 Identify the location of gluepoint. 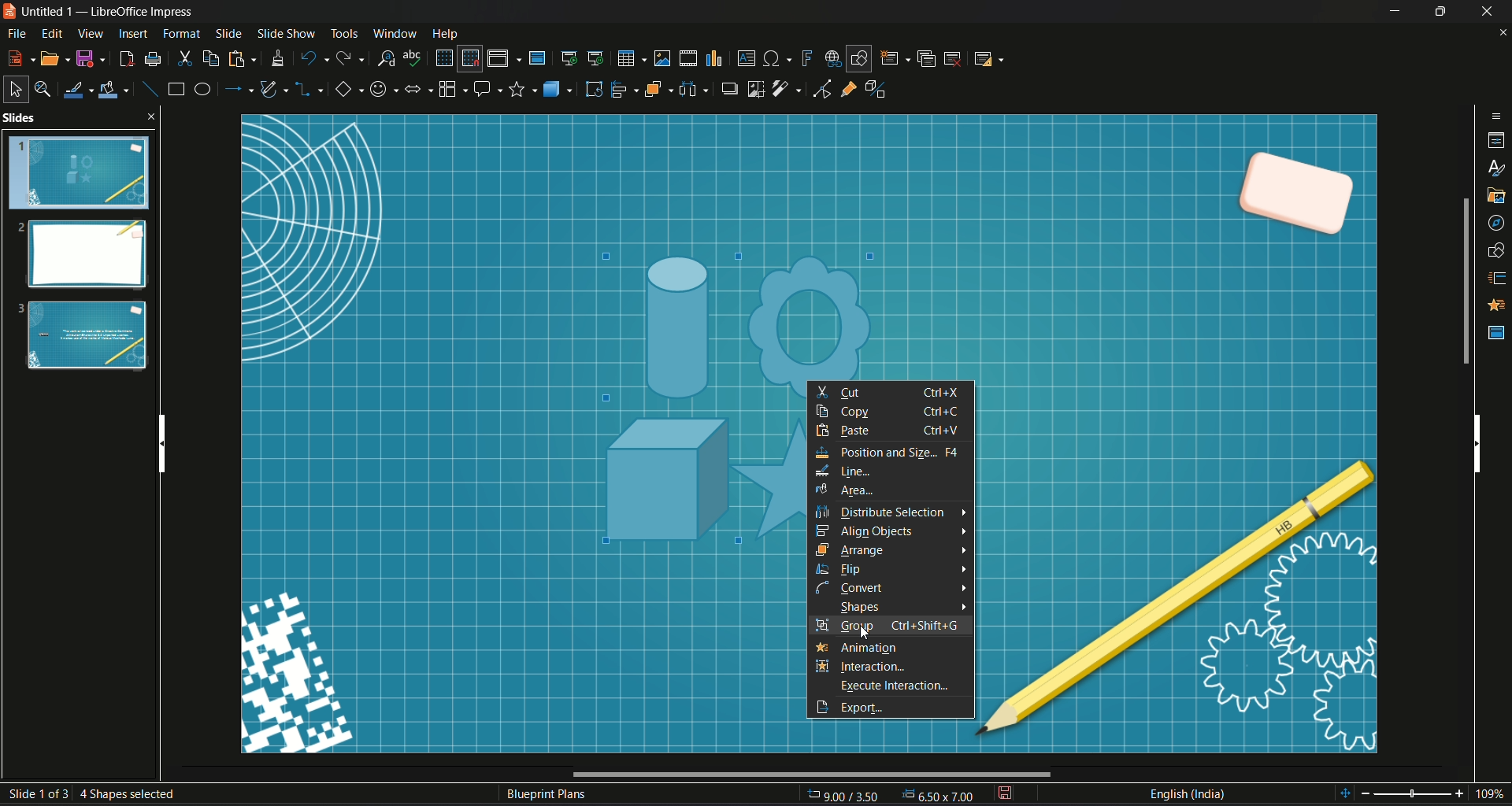
(848, 87).